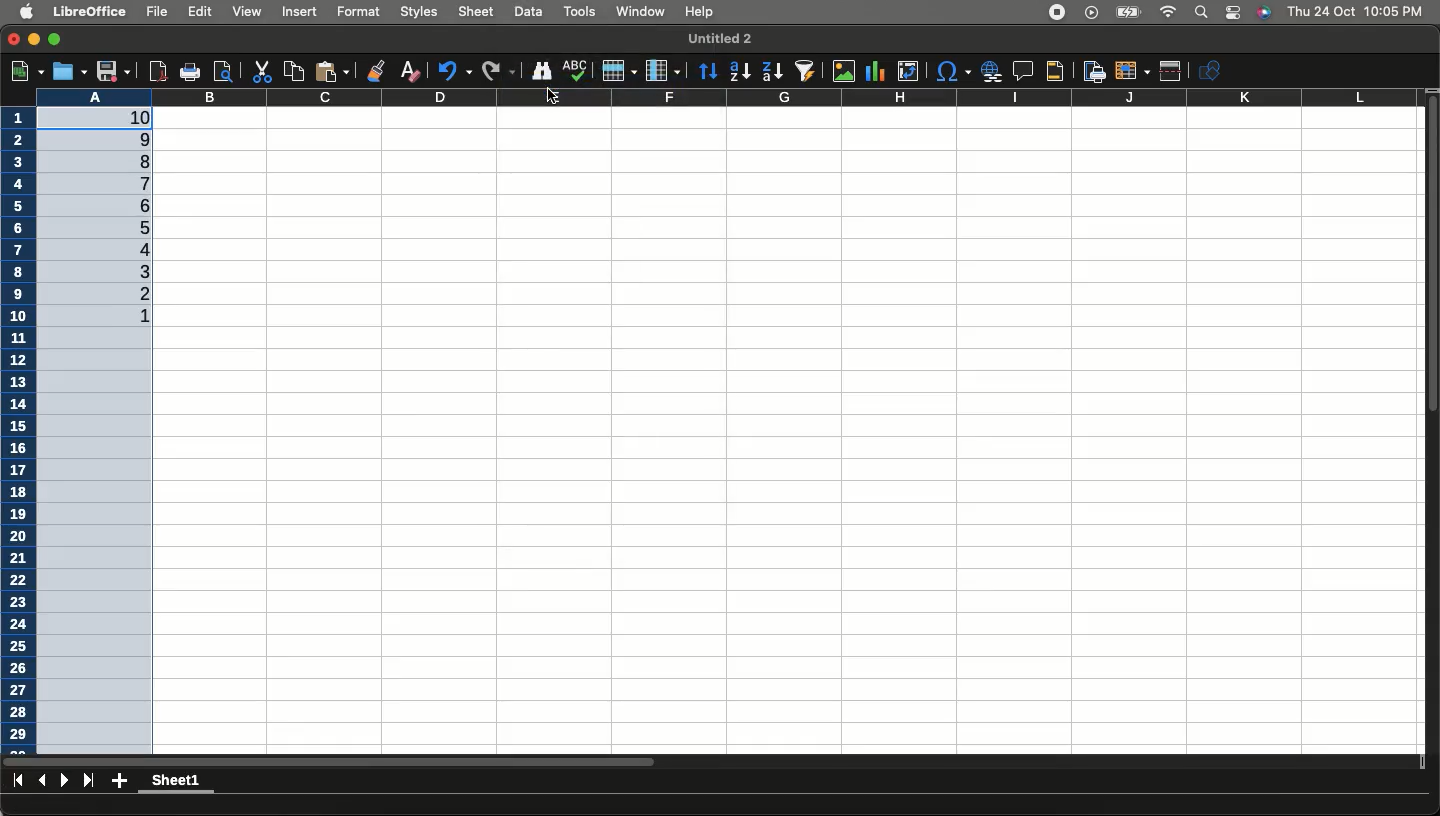 The image size is (1440, 816). Describe the element at coordinates (414, 71) in the screenshot. I see `Clear direct formatting` at that location.